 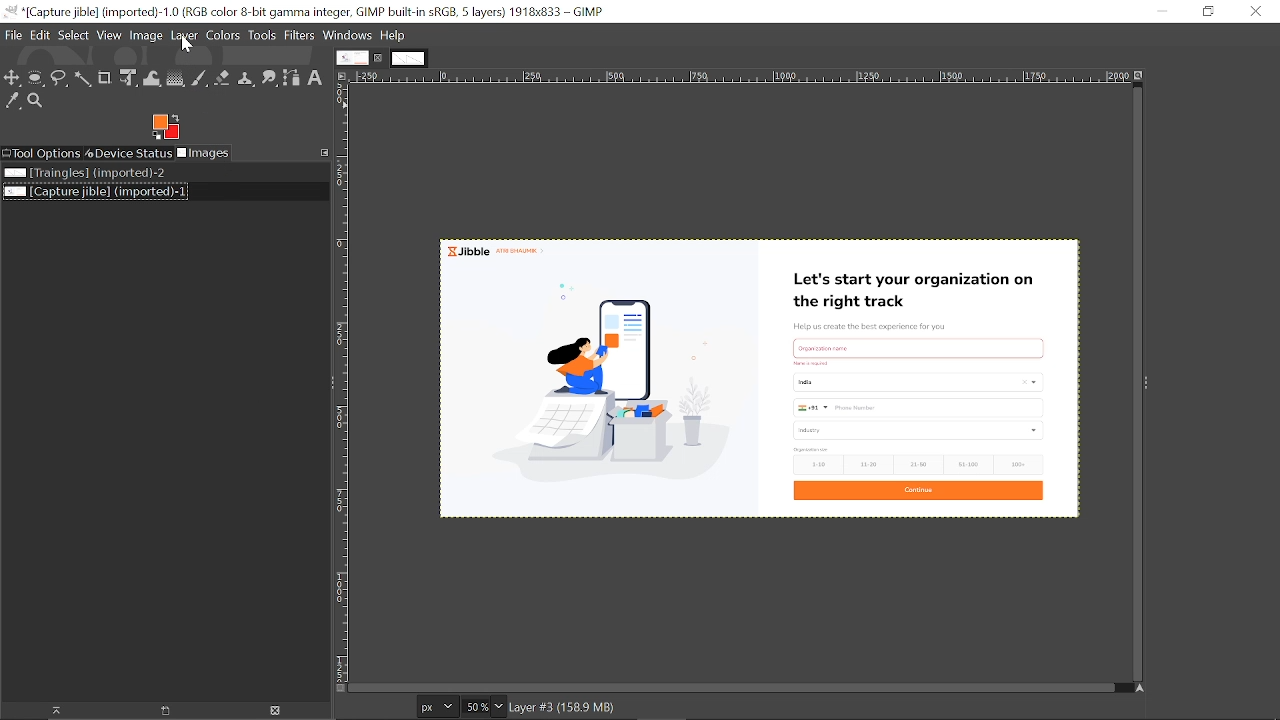 What do you see at coordinates (263, 35) in the screenshot?
I see `Tools` at bounding box center [263, 35].